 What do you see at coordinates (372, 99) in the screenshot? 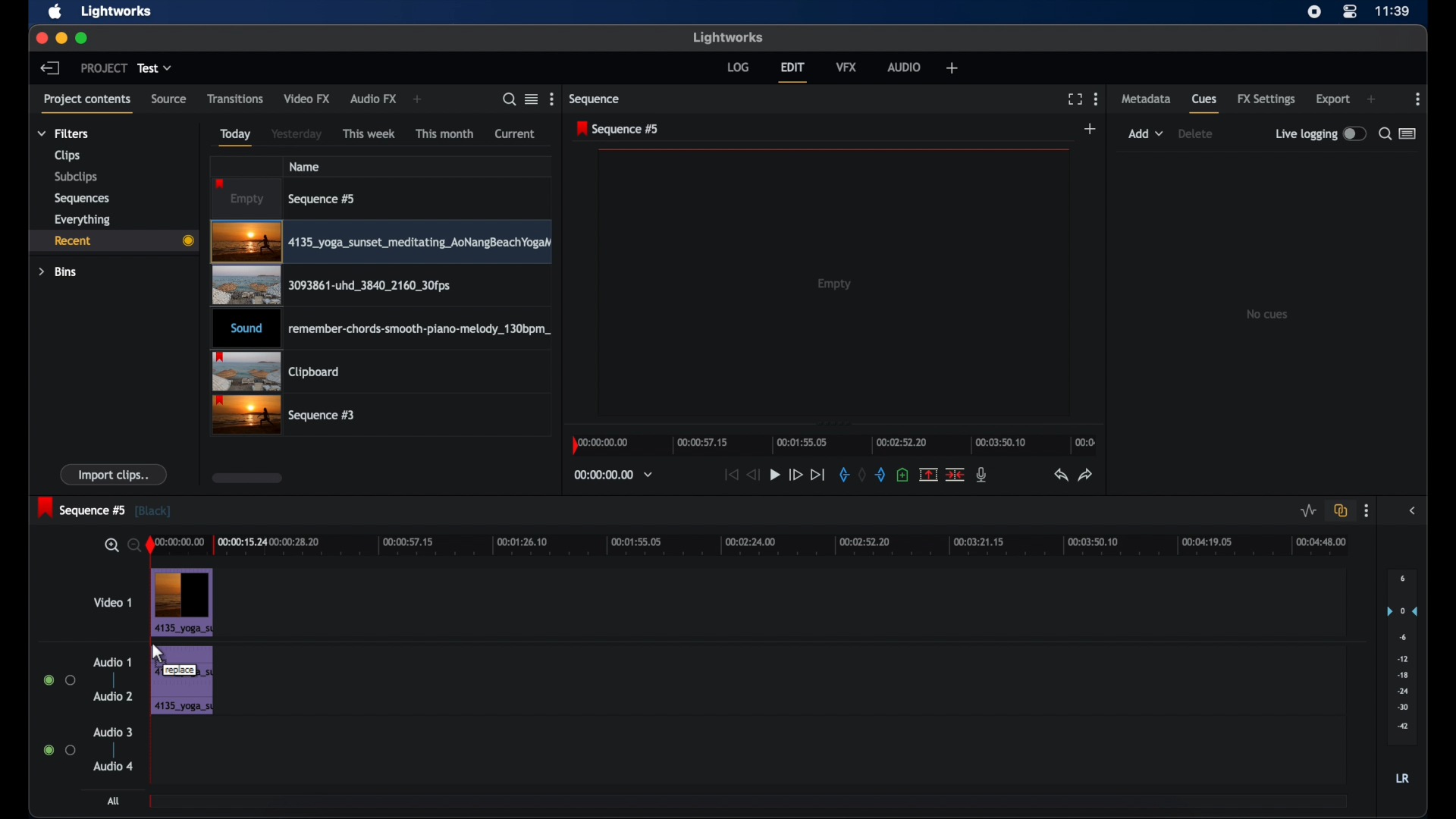
I see `audio fx` at bounding box center [372, 99].